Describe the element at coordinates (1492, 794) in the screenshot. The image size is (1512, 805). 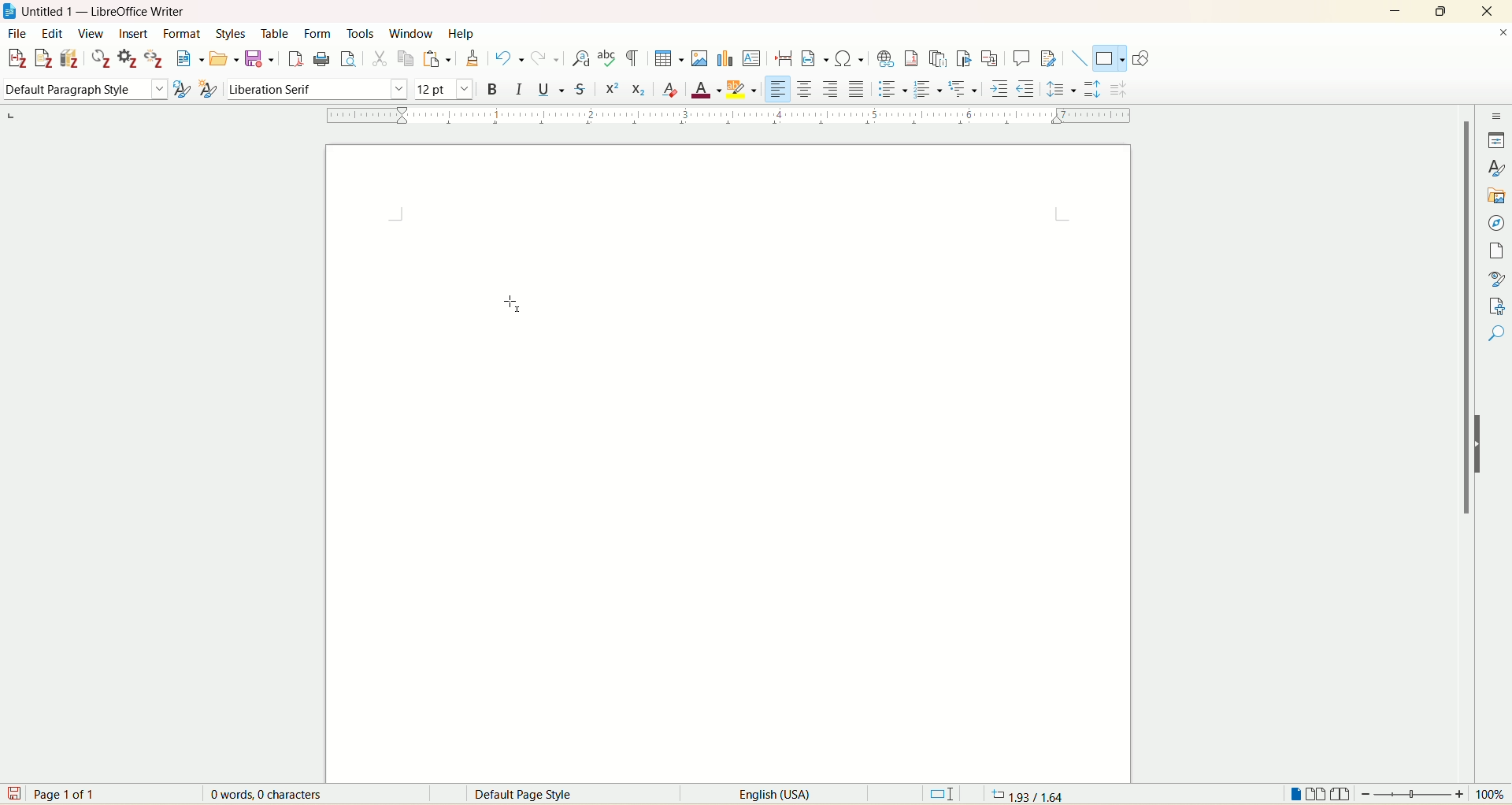
I see `zoom percent` at that location.